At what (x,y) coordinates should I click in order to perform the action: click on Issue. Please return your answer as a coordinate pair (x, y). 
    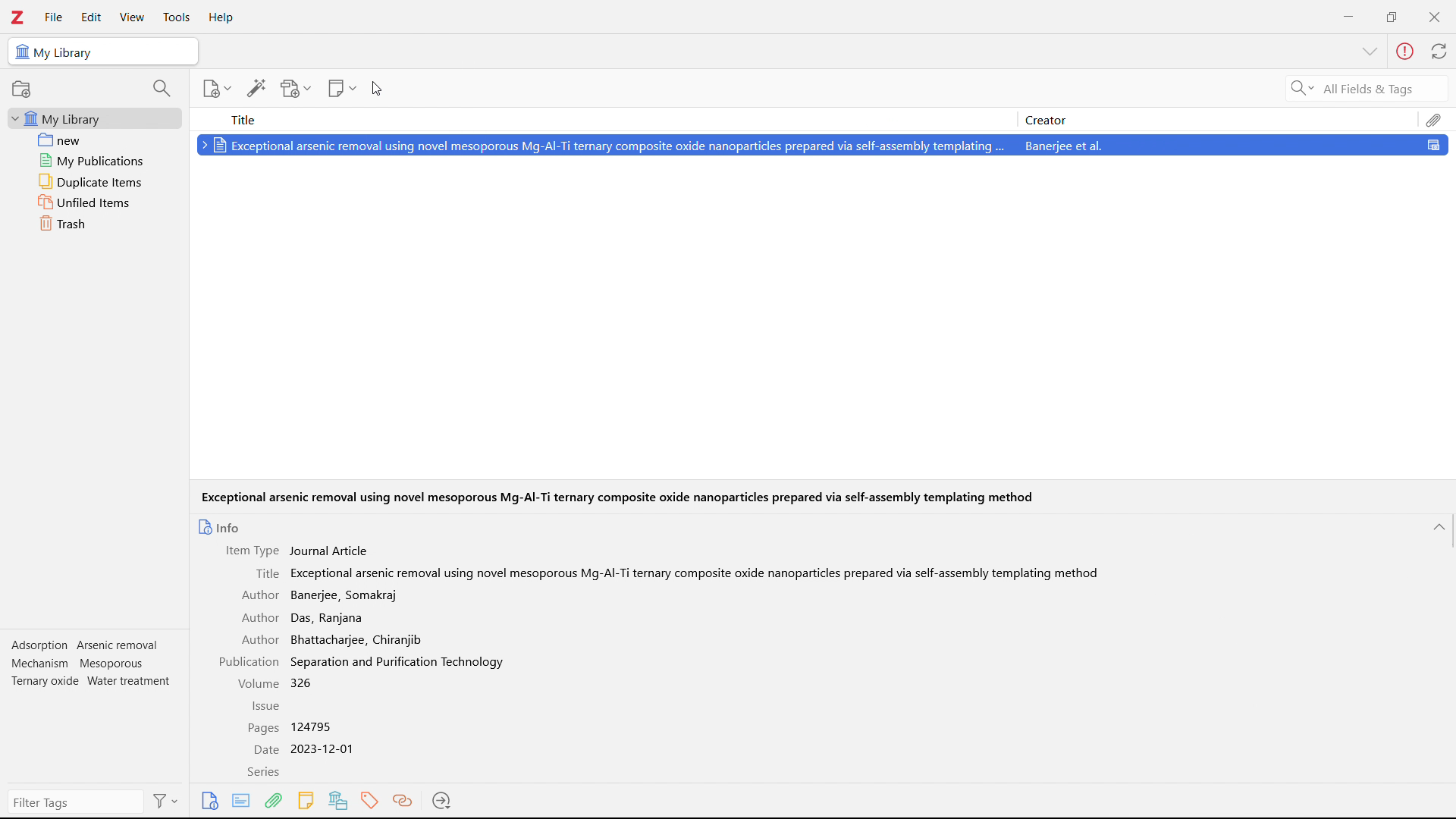
    Looking at the image, I should click on (270, 708).